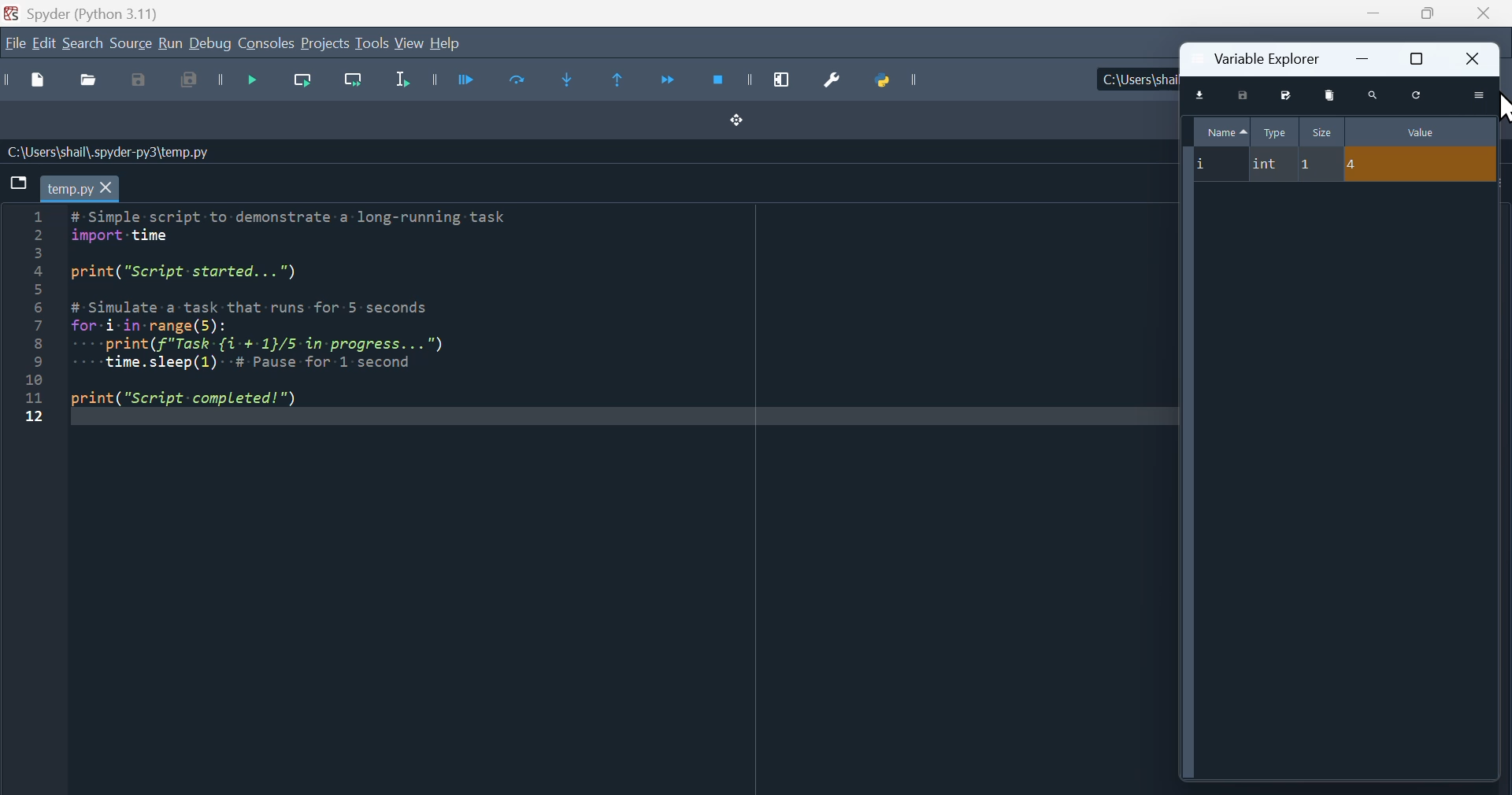 This screenshot has height=795, width=1512. I want to click on minimise, so click(1372, 13).